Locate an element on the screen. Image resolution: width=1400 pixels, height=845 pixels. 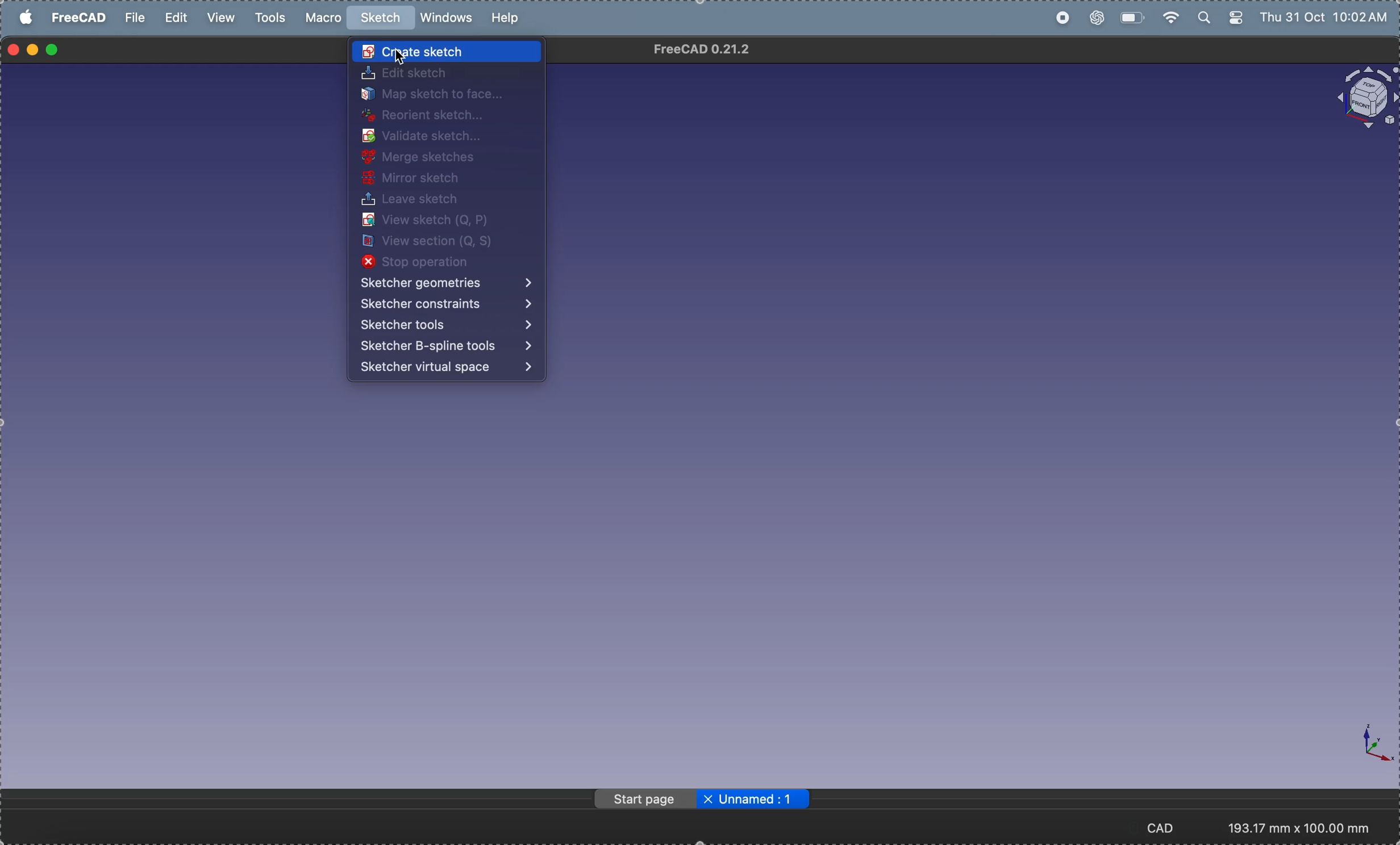
Cursor is located at coordinates (400, 60).